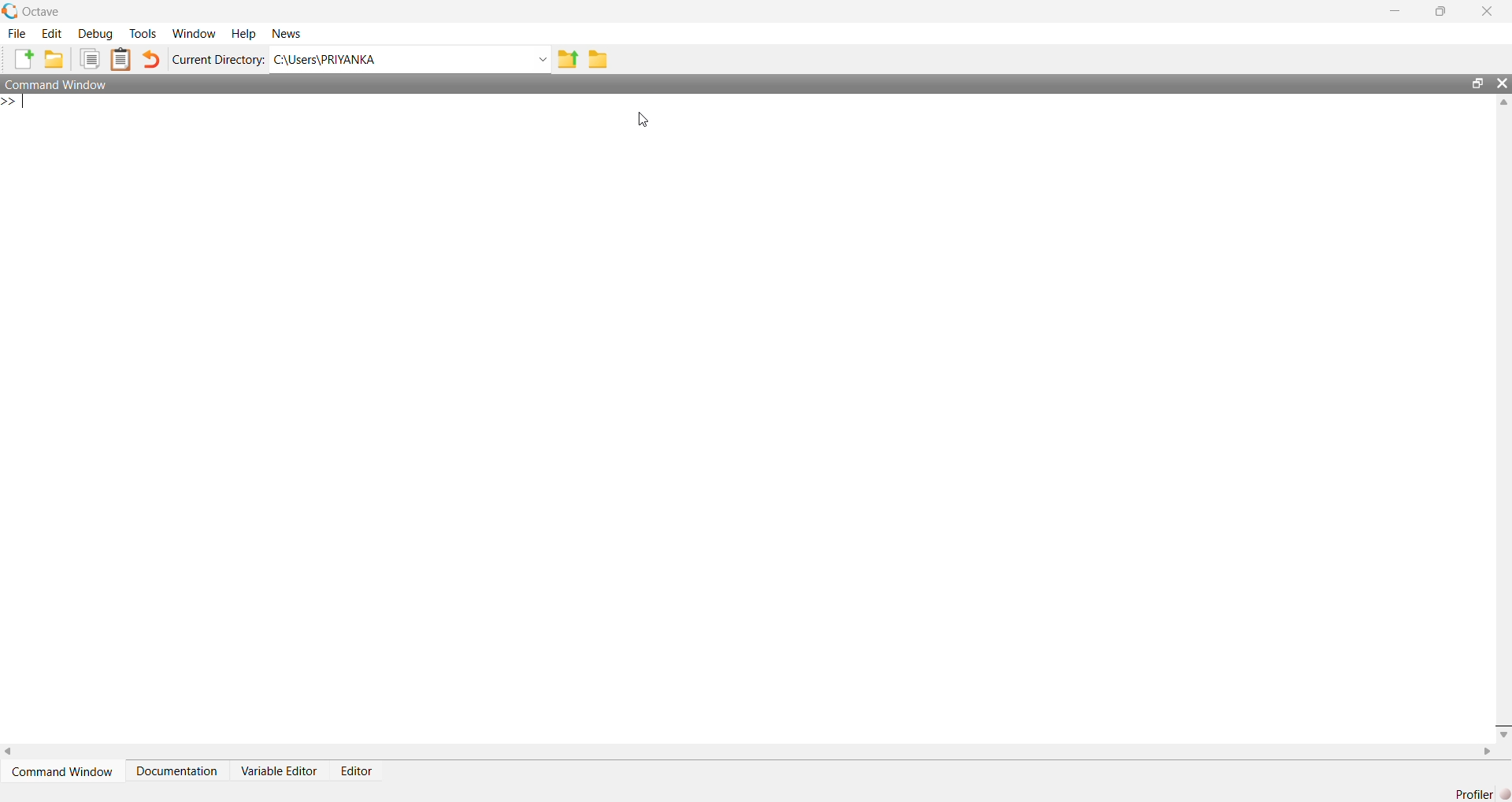 The height and width of the screenshot is (802, 1512). Describe the element at coordinates (218, 58) in the screenshot. I see `Current Directory:` at that location.